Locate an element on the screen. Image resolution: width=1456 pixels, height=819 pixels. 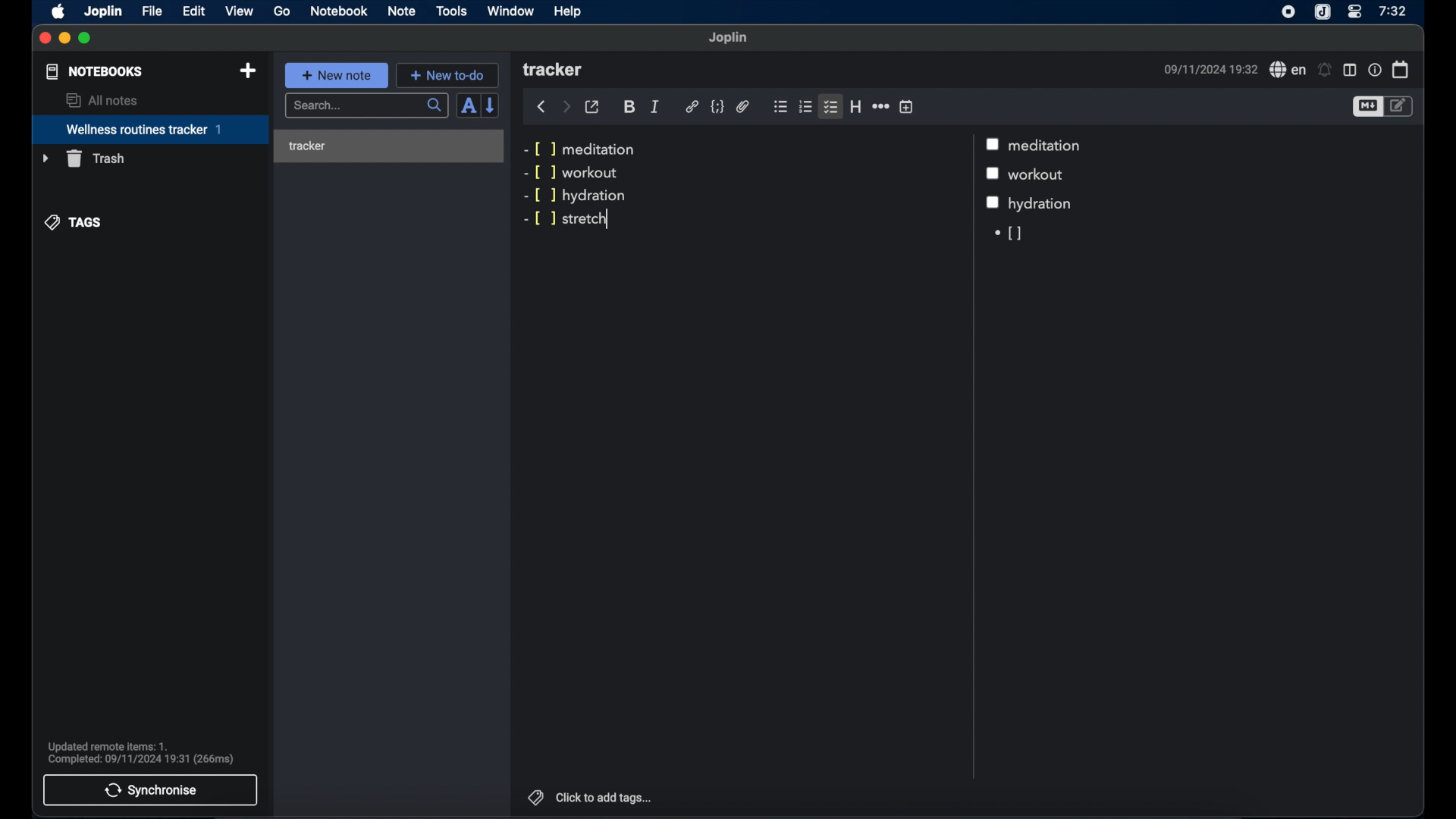
toggle editor is located at coordinates (1367, 106).